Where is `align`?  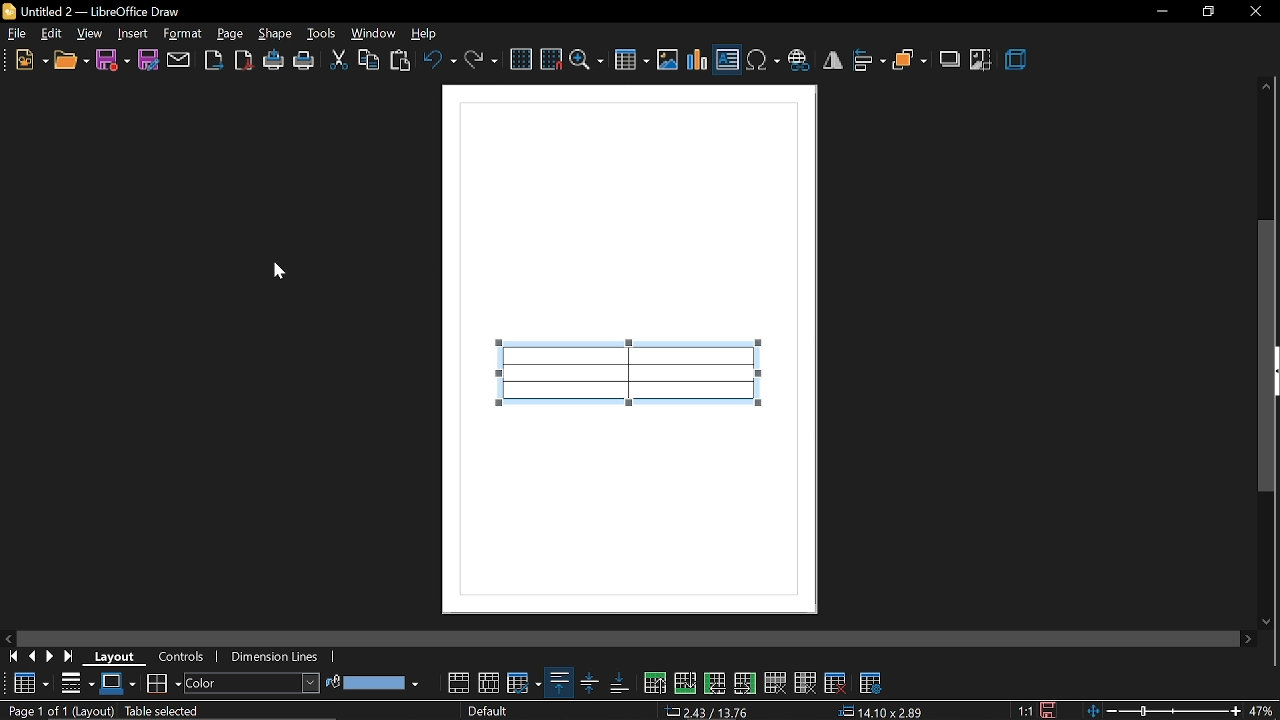 align is located at coordinates (870, 61).